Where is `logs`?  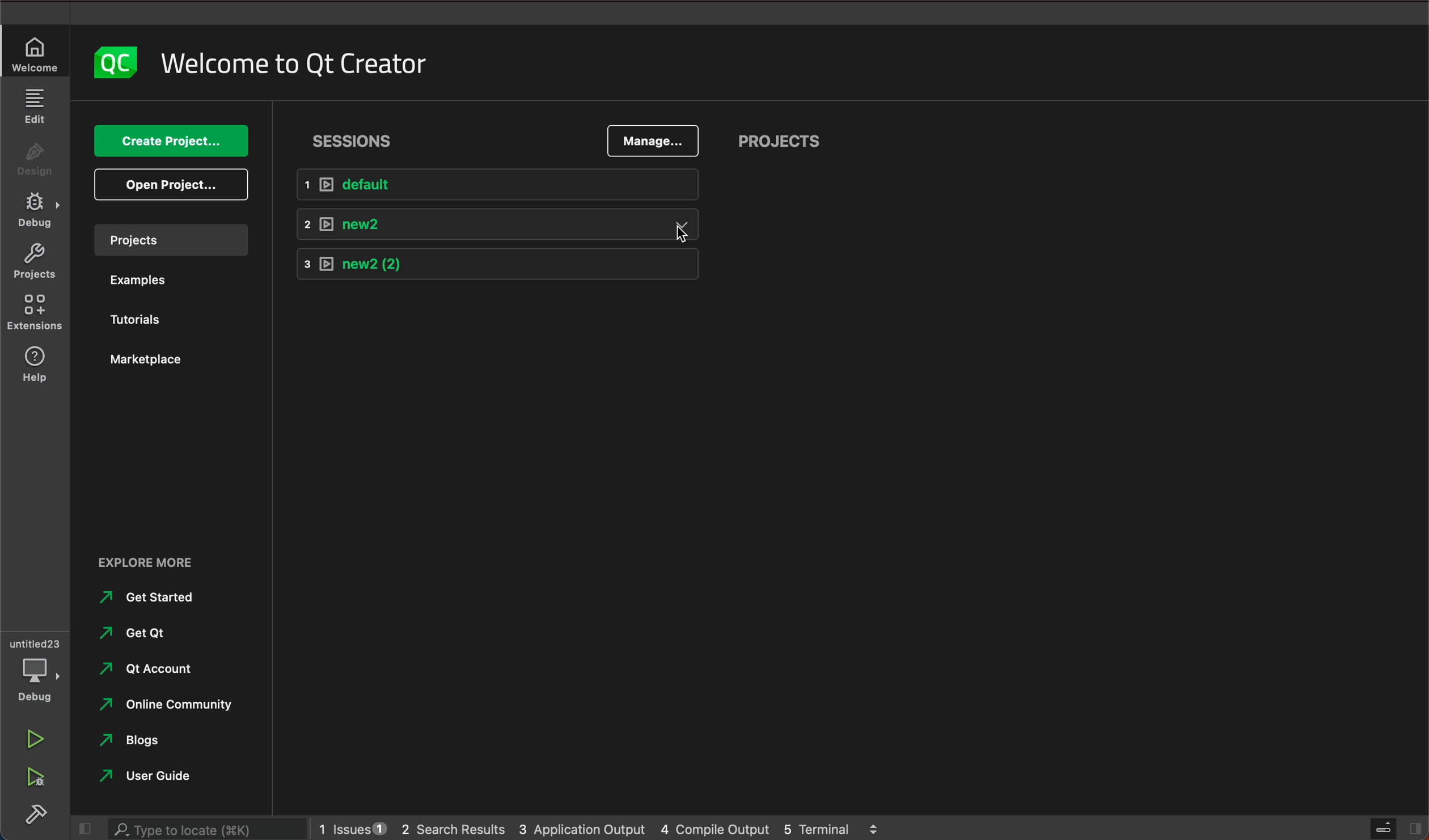 logs is located at coordinates (602, 828).